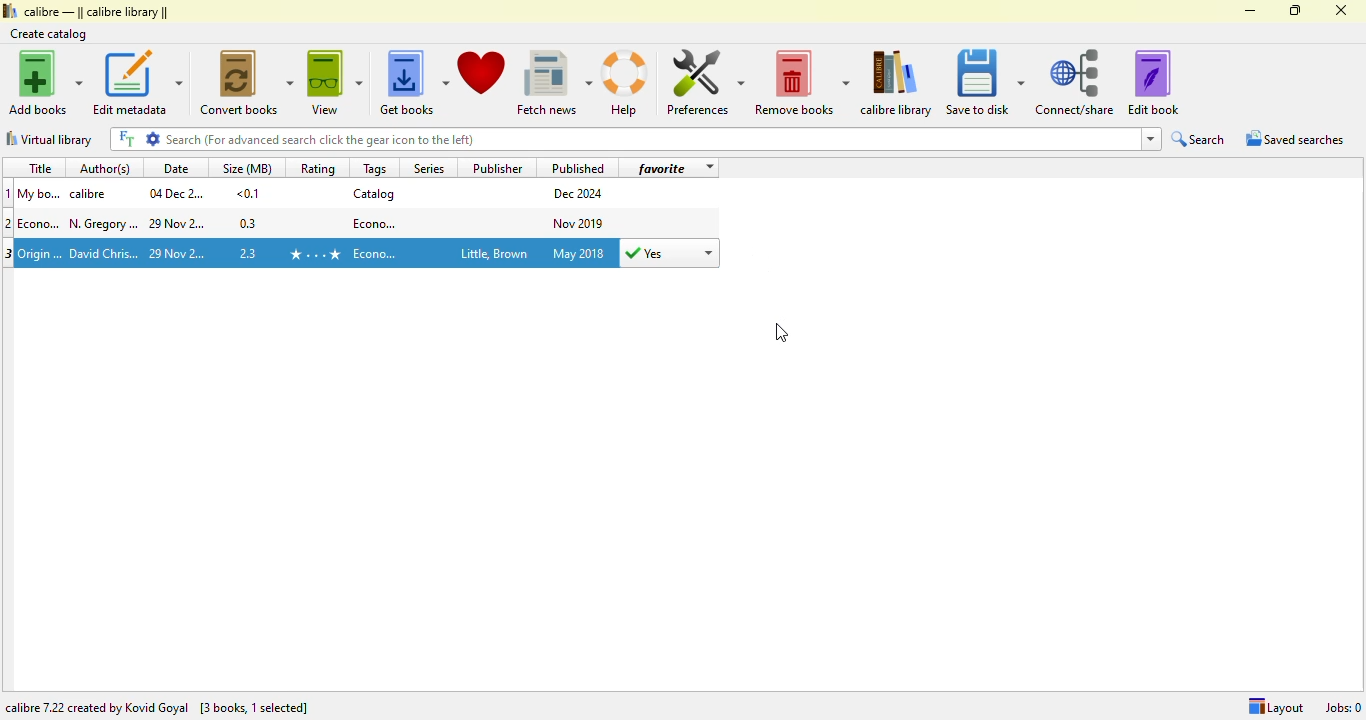 This screenshot has height=720, width=1366. Describe the element at coordinates (39, 168) in the screenshot. I see `title` at that location.